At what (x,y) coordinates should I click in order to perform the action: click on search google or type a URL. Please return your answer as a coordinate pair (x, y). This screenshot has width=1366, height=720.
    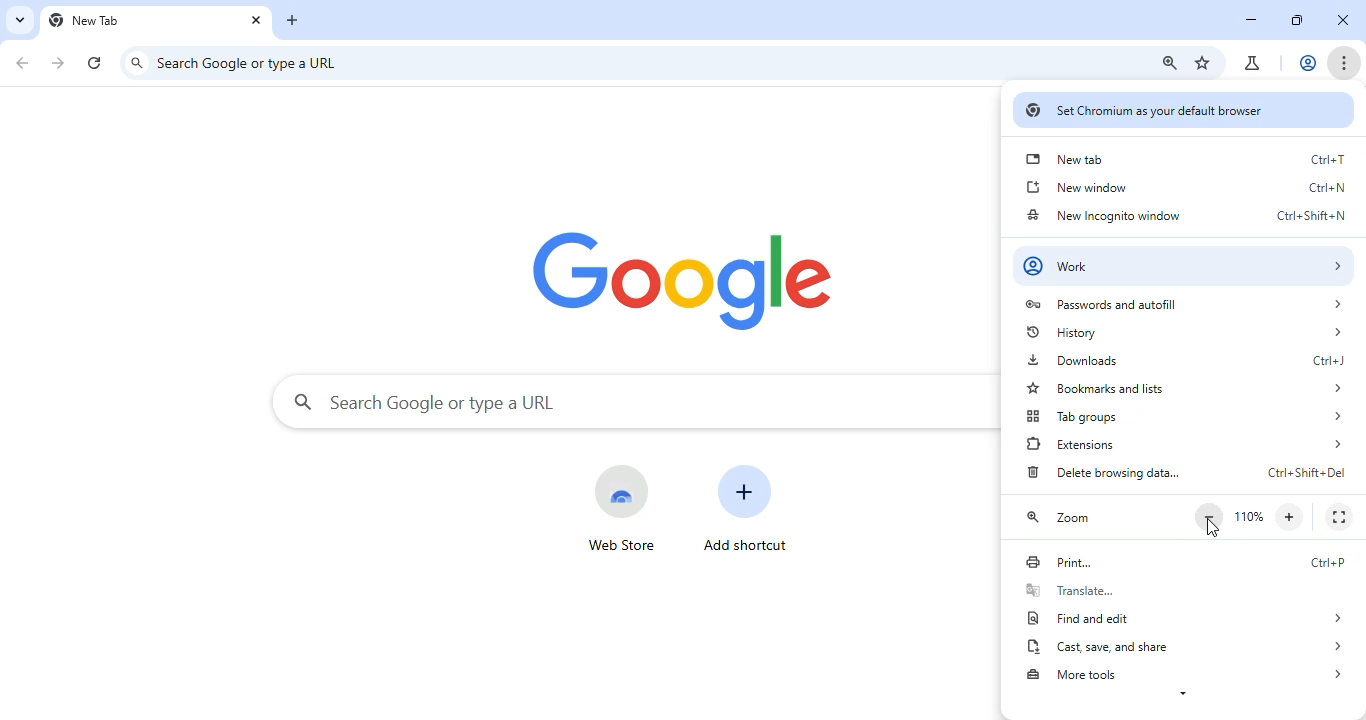
    Looking at the image, I should click on (253, 62).